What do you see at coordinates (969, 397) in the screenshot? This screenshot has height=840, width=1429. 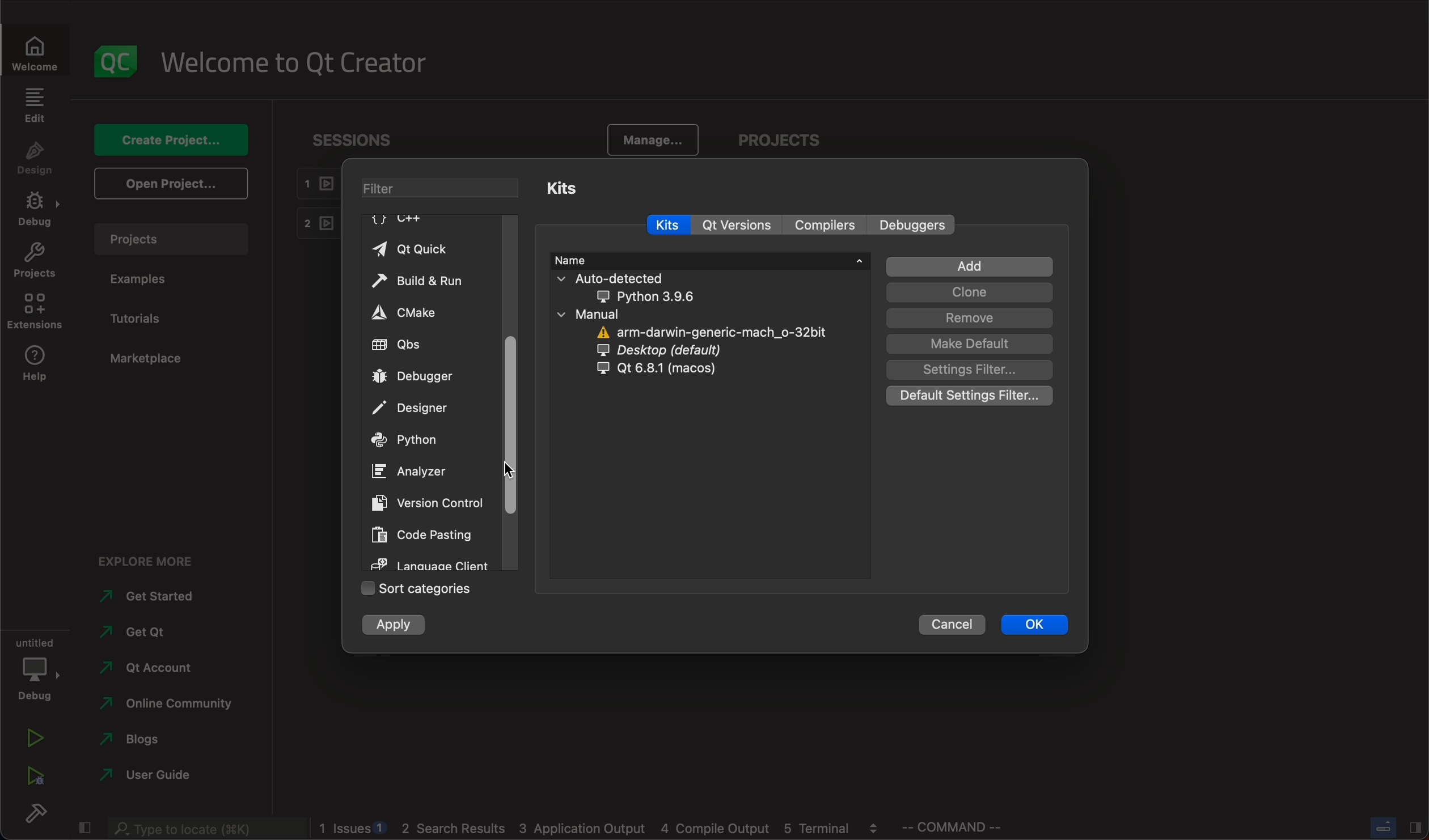 I see `default setting filter` at bounding box center [969, 397].